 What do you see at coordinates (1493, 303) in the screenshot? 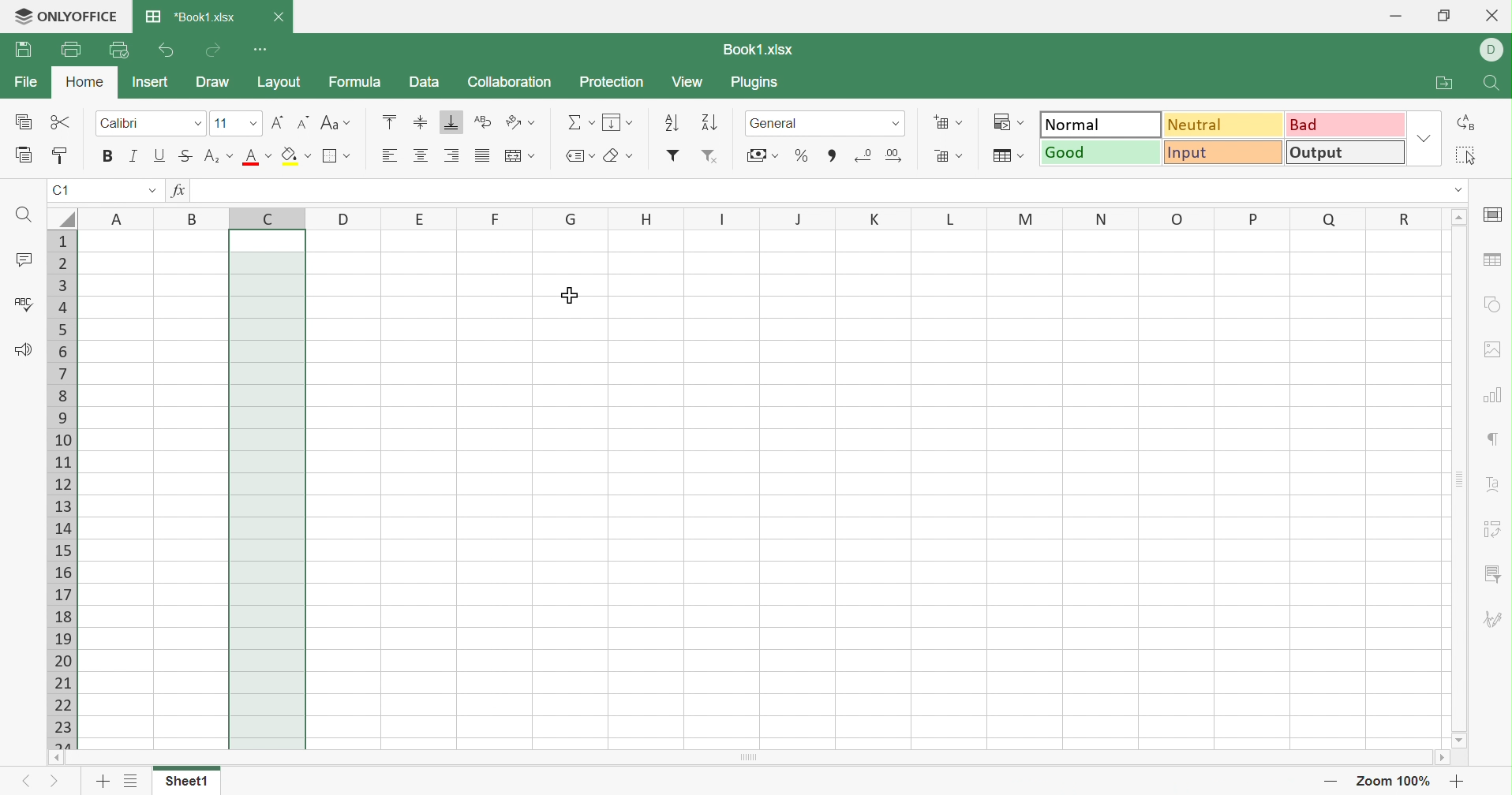
I see `Shape settings` at bounding box center [1493, 303].